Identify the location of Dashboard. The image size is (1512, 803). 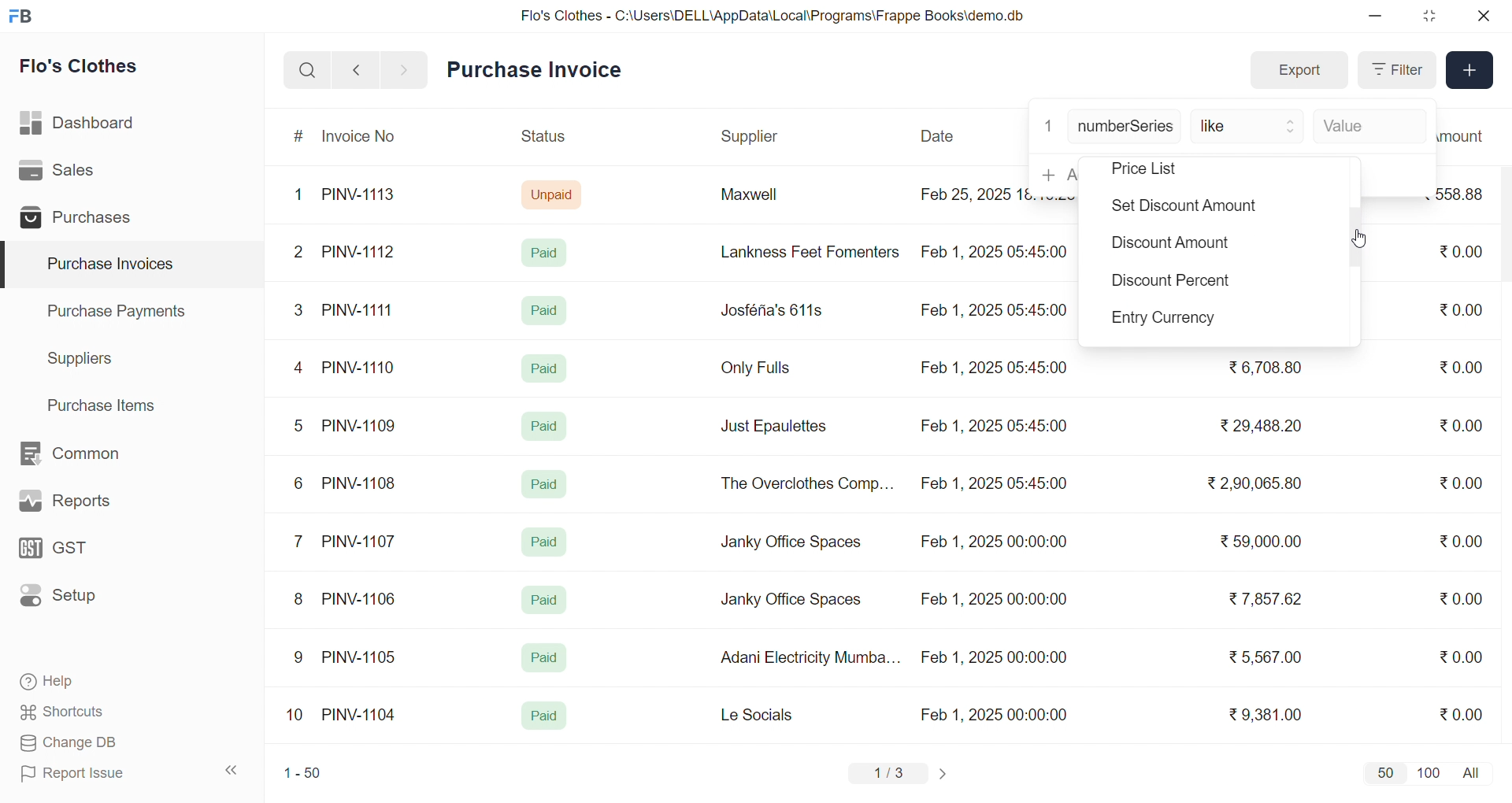
(82, 126).